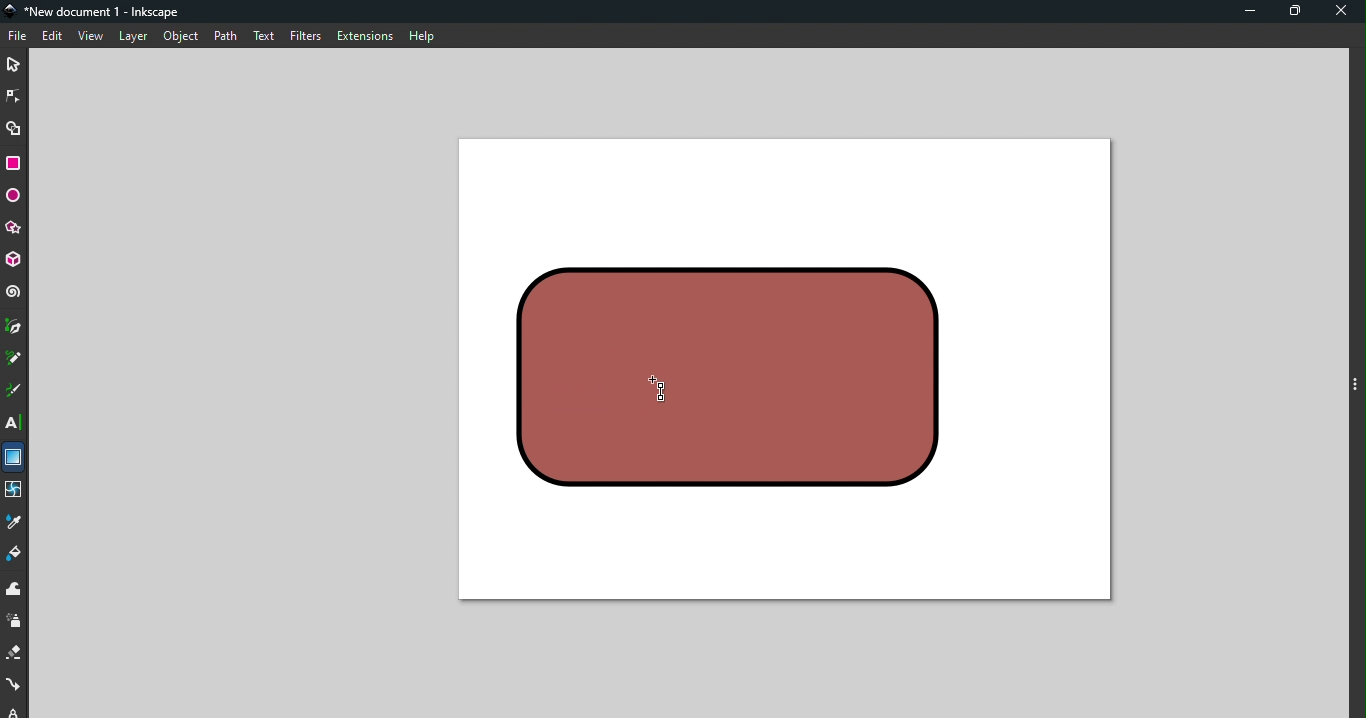  What do you see at coordinates (18, 36) in the screenshot?
I see `File` at bounding box center [18, 36].